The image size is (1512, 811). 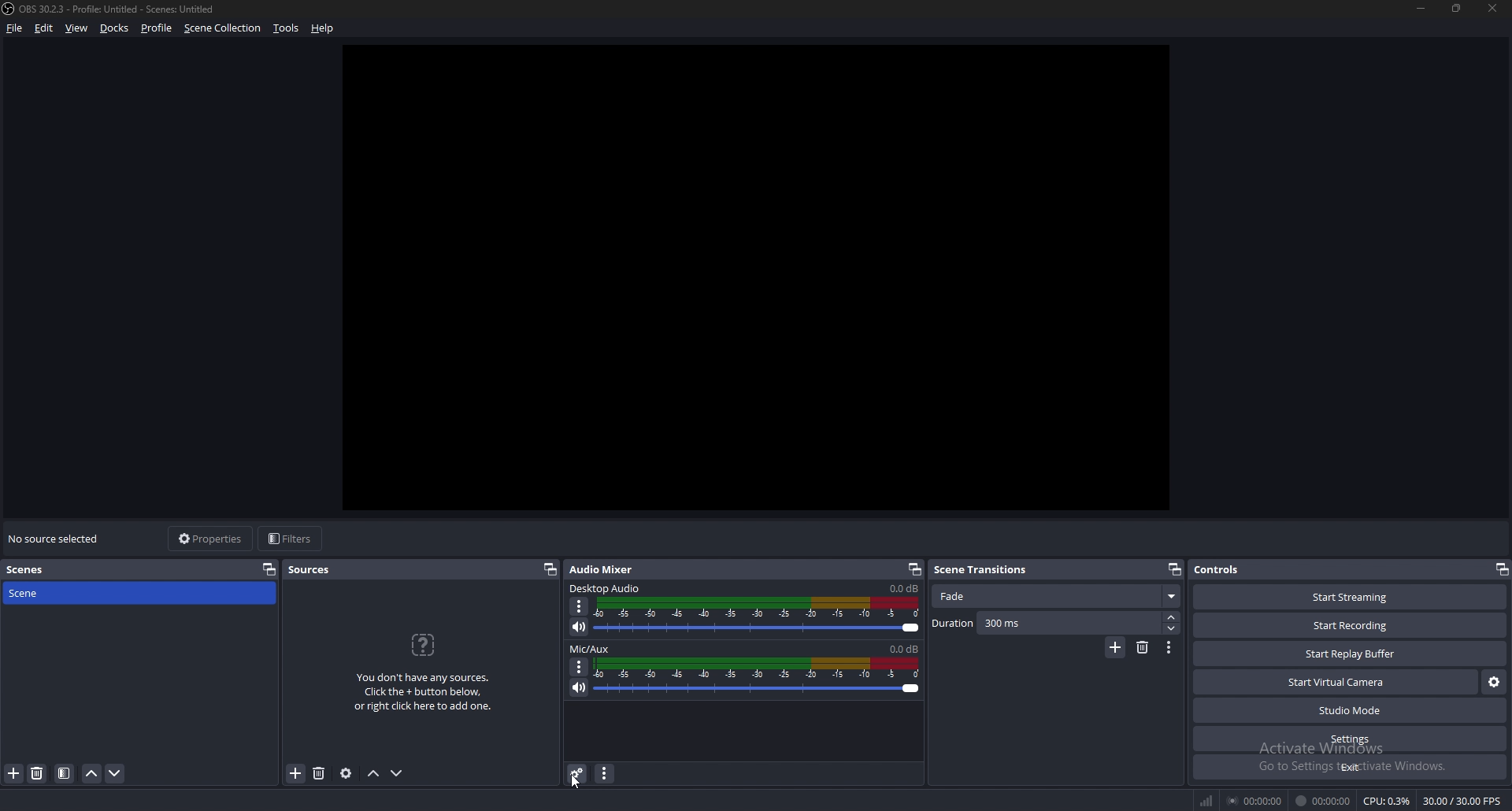 I want to click on volume adjust, so click(x=758, y=676).